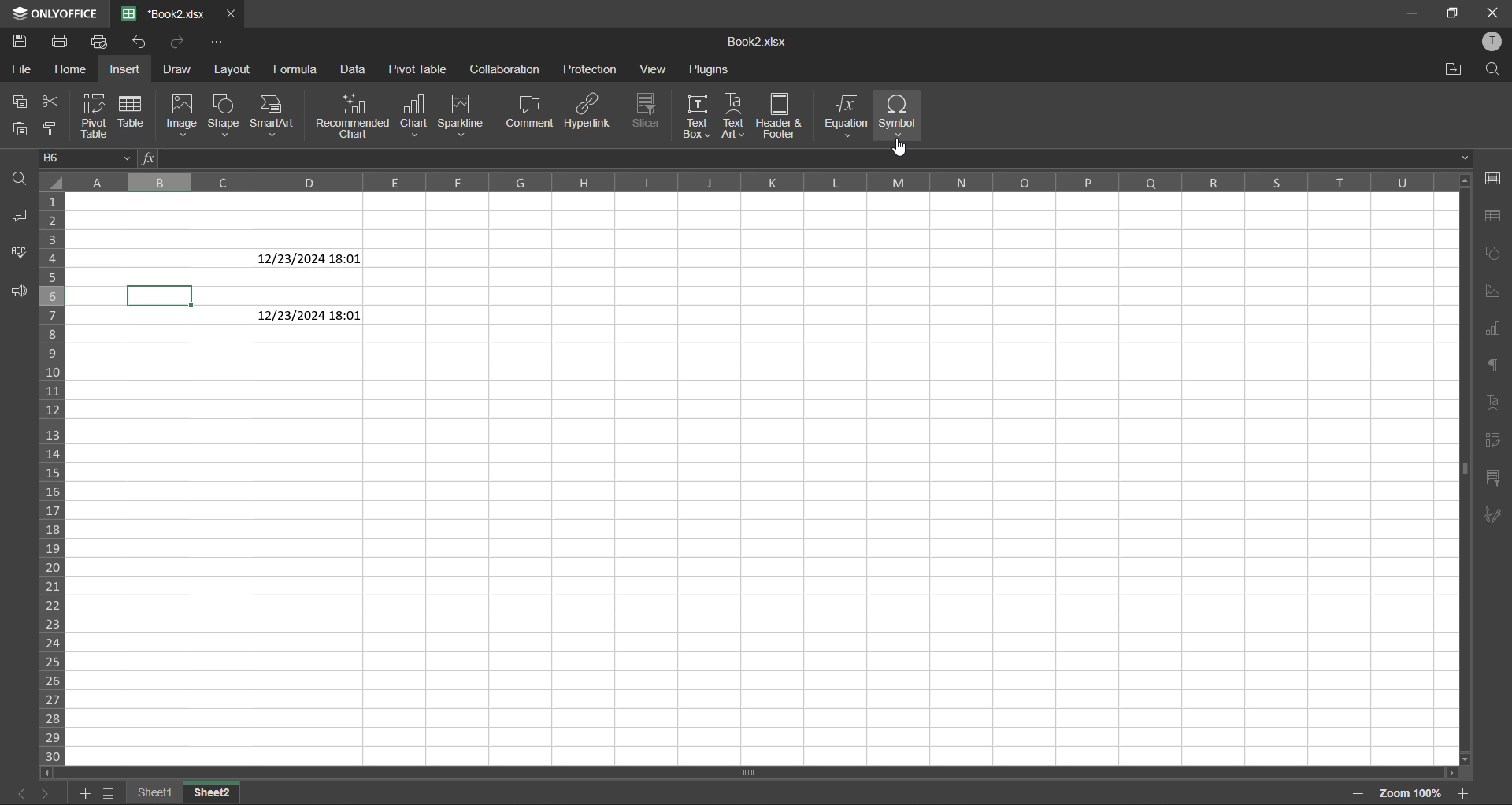 This screenshot has height=805, width=1512. What do you see at coordinates (1452, 13) in the screenshot?
I see `maximize` at bounding box center [1452, 13].